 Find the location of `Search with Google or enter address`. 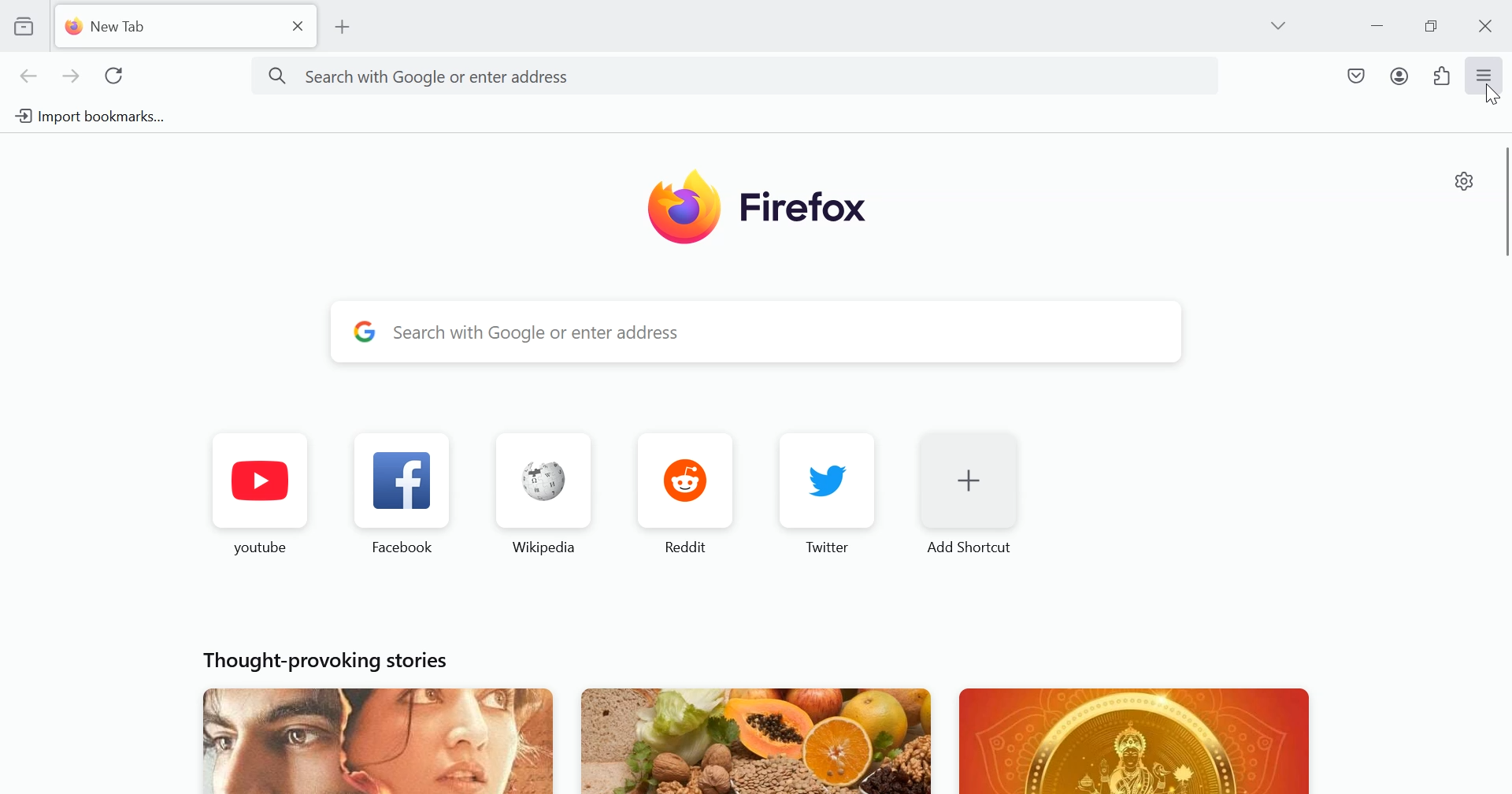

Search with Google or enter address is located at coordinates (741, 76).